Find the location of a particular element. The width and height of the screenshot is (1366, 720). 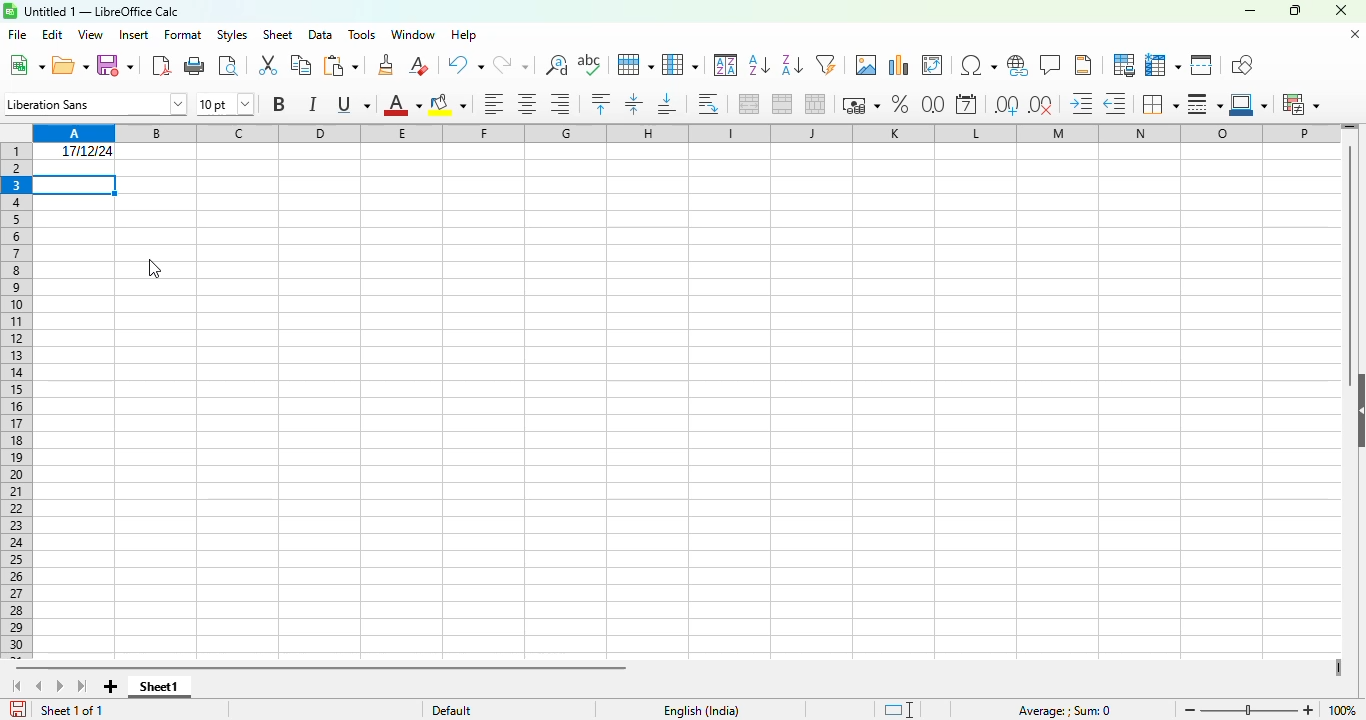

print  is located at coordinates (196, 66).